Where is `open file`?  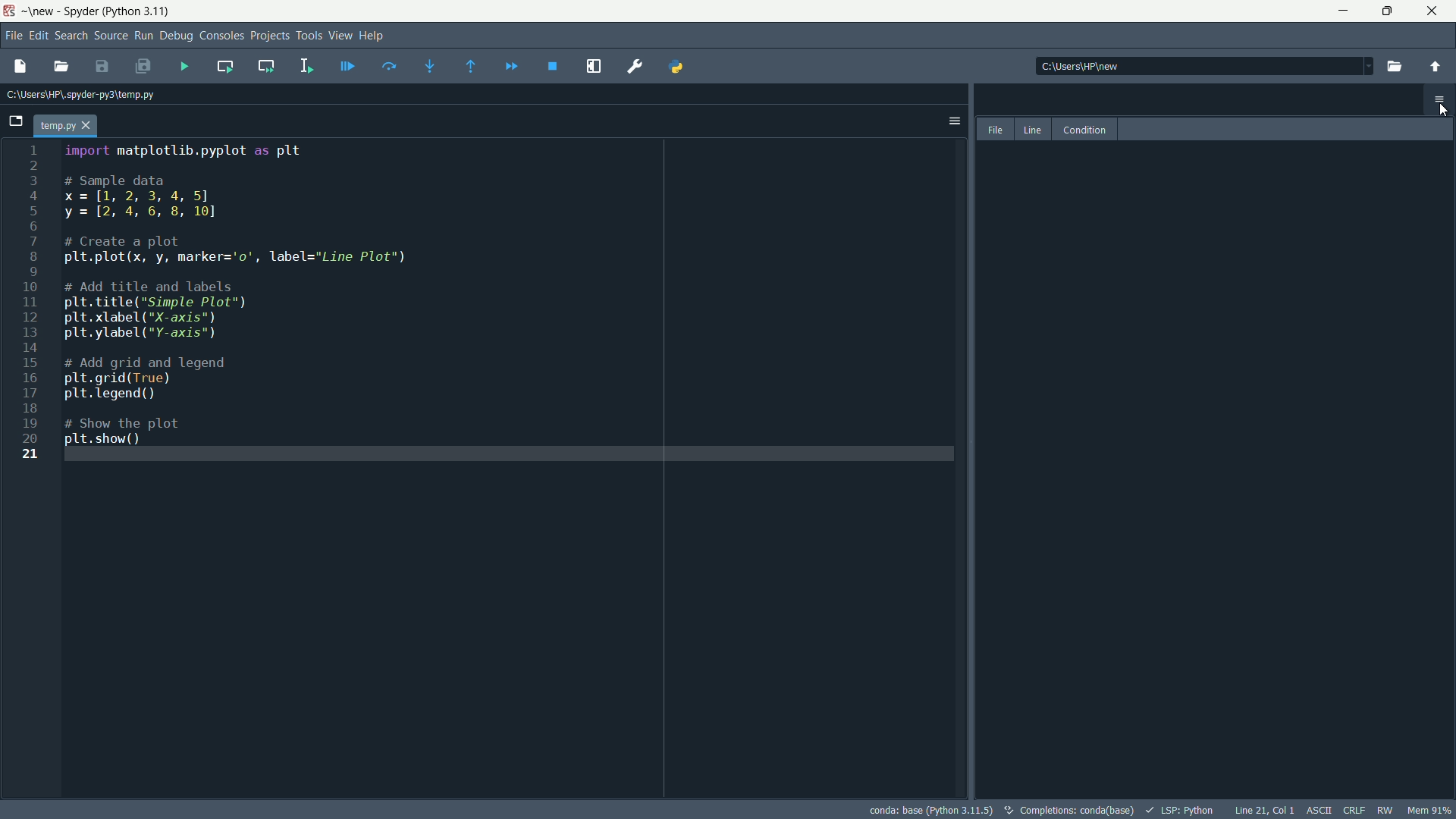
open file is located at coordinates (61, 66).